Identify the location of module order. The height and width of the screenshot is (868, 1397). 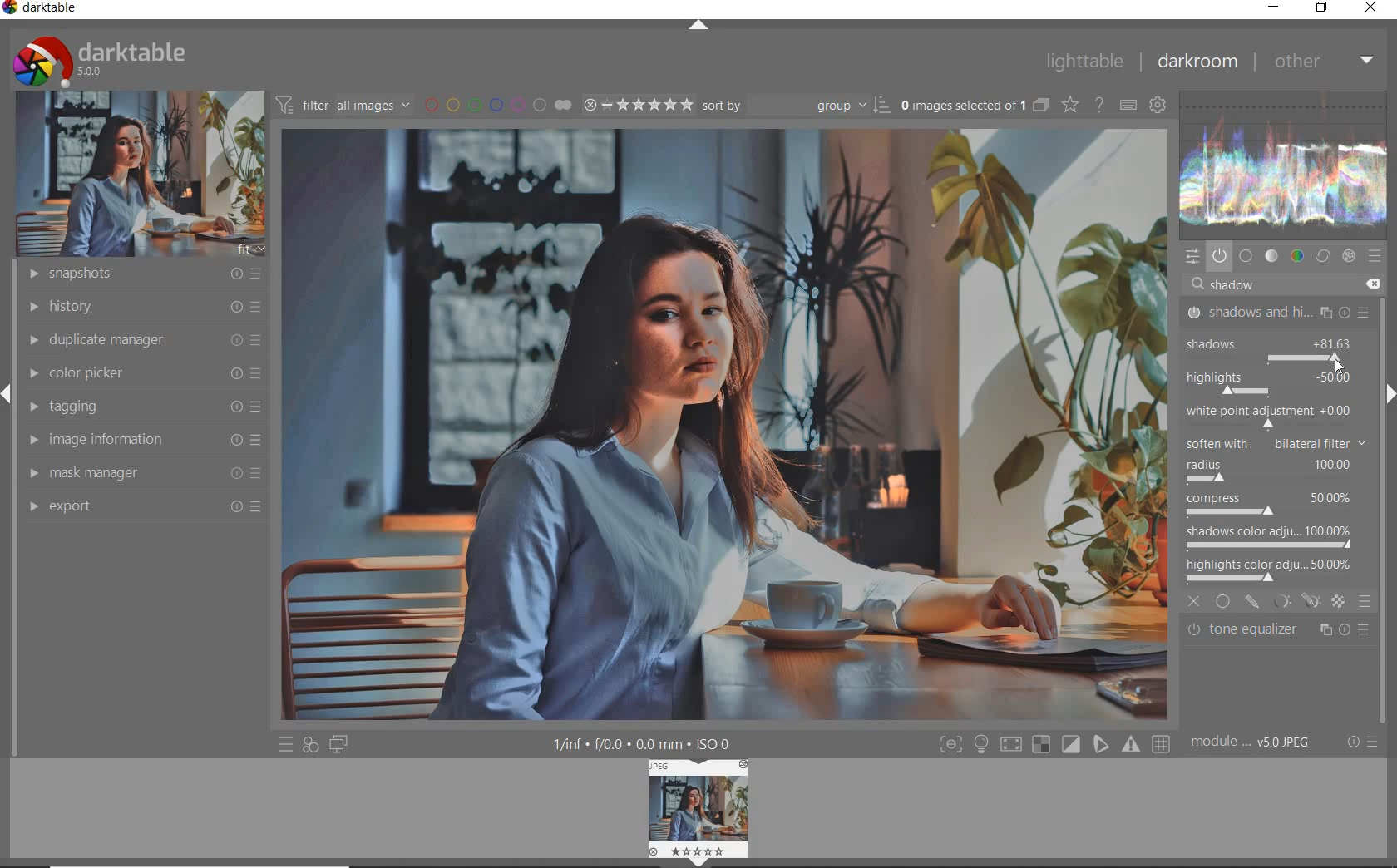
(1256, 744).